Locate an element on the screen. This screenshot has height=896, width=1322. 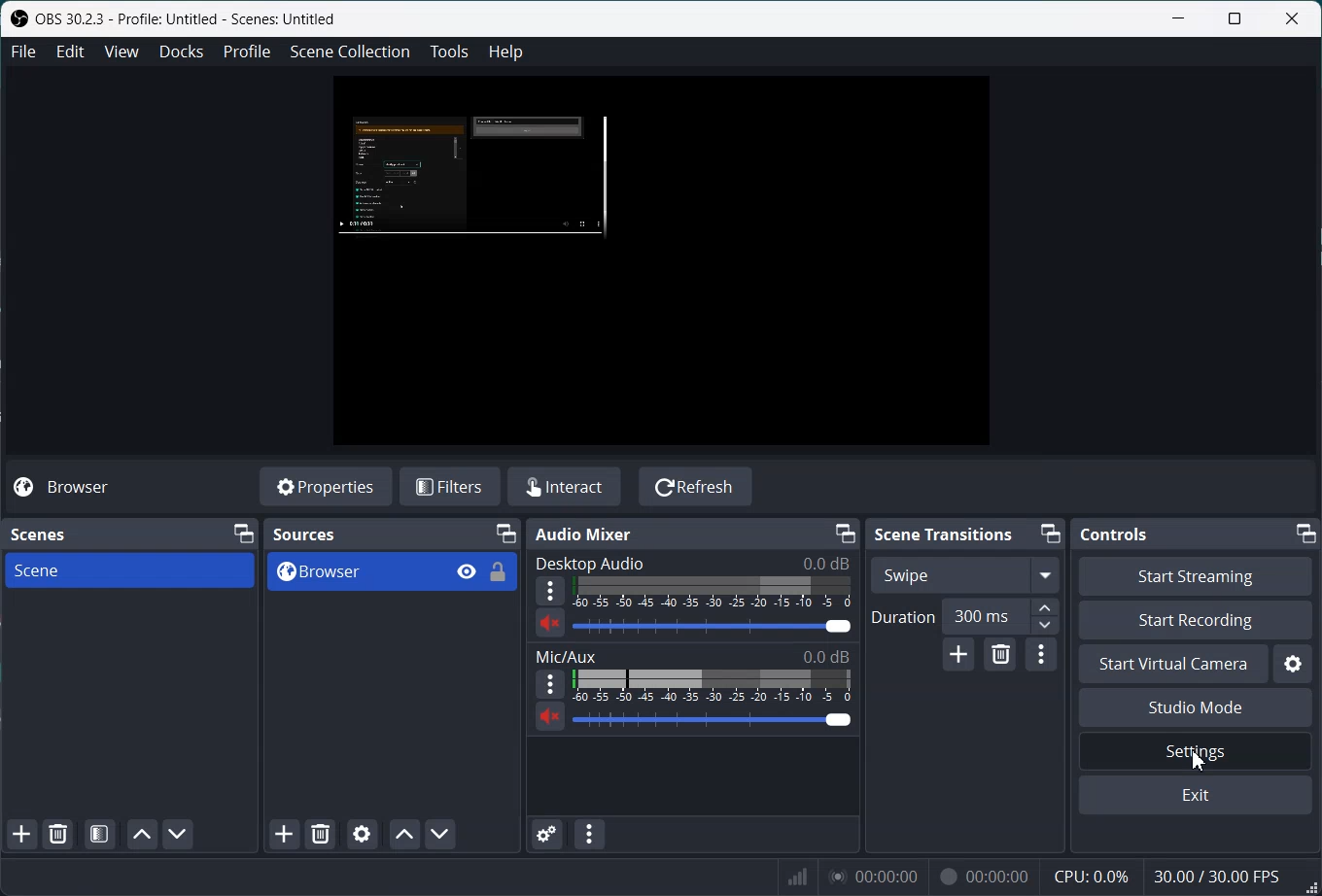
Maximize is located at coordinates (1235, 17).